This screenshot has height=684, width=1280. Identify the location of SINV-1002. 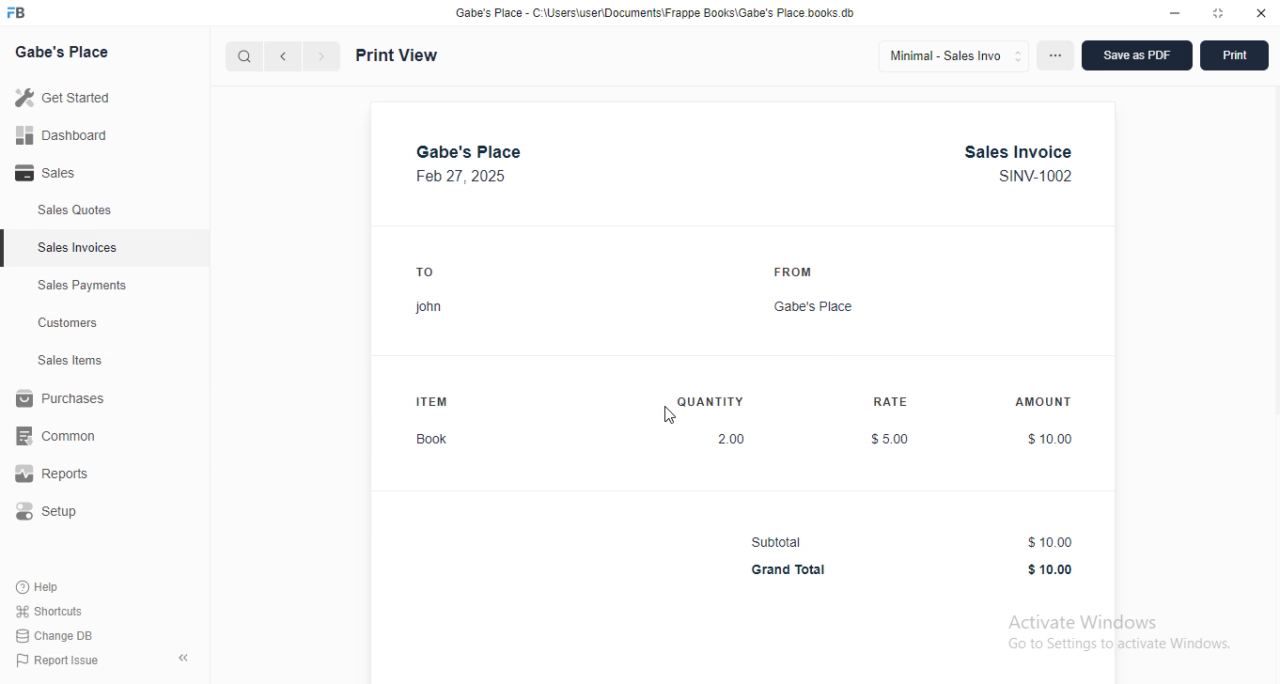
(1035, 176).